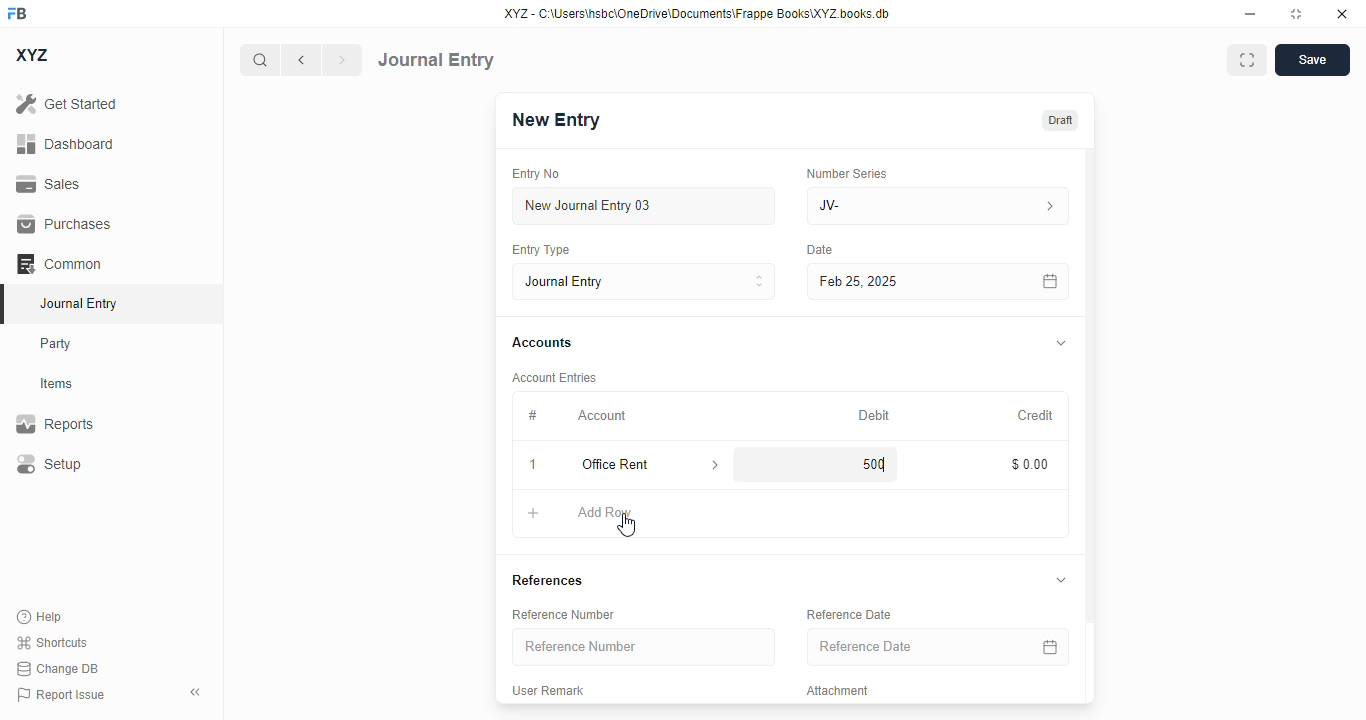 Image resolution: width=1366 pixels, height=720 pixels. What do you see at coordinates (66, 103) in the screenshot?
I see `get started` at bounding box center [66, 103].